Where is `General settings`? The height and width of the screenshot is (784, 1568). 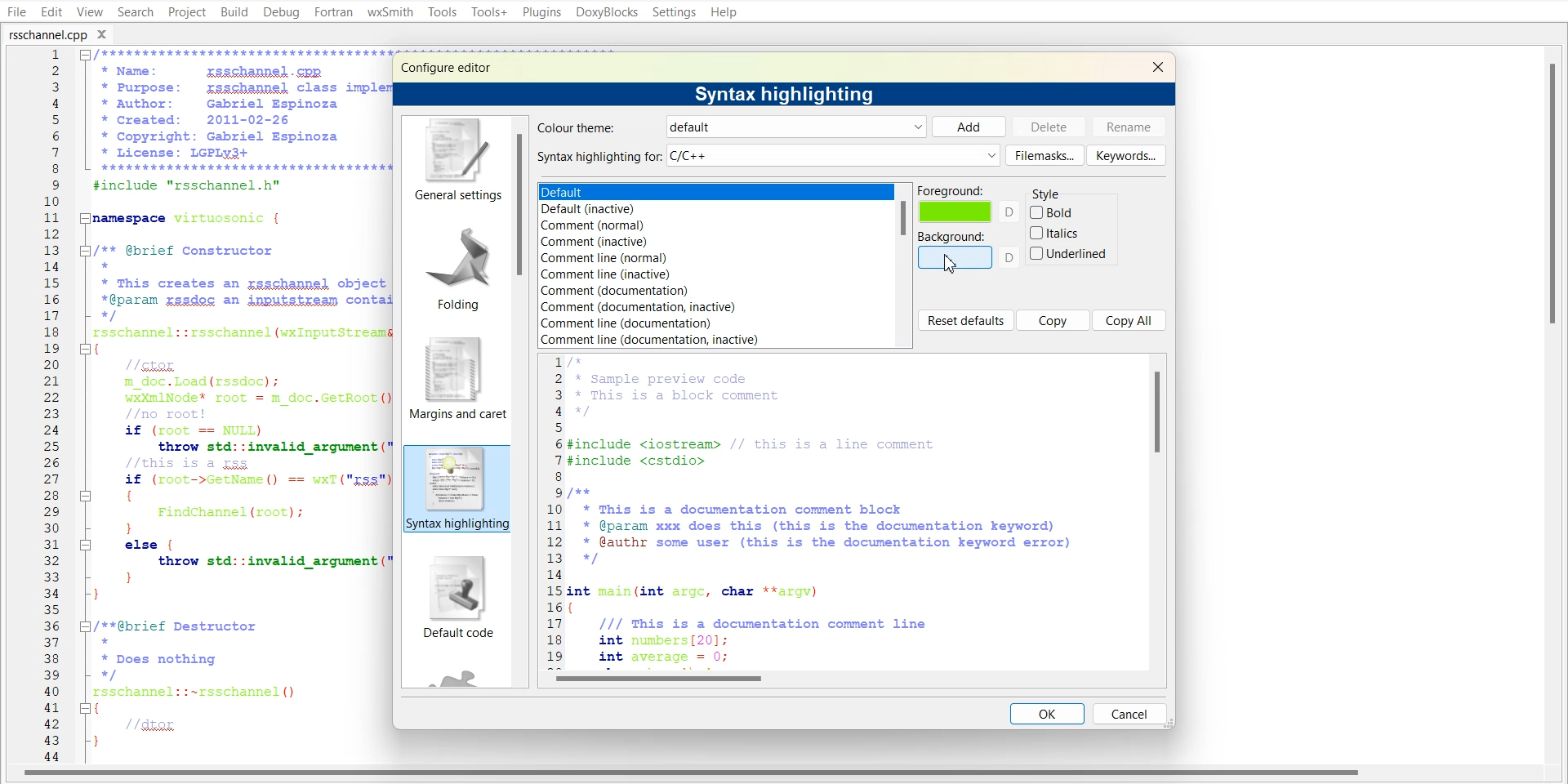 General settings is located at coordinates (455, 160).